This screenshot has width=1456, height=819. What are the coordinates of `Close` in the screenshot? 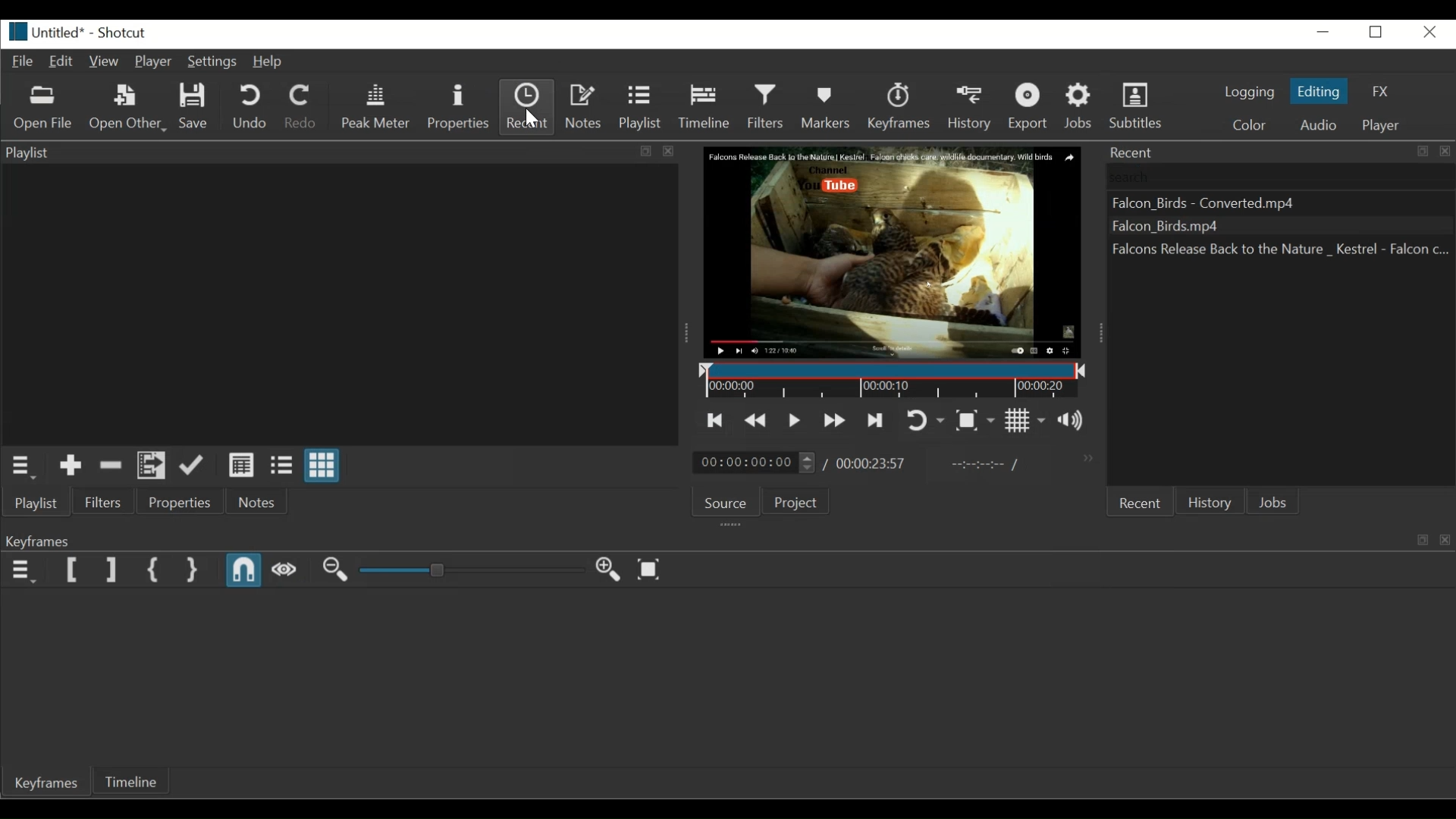 It's located at (1427, 32).